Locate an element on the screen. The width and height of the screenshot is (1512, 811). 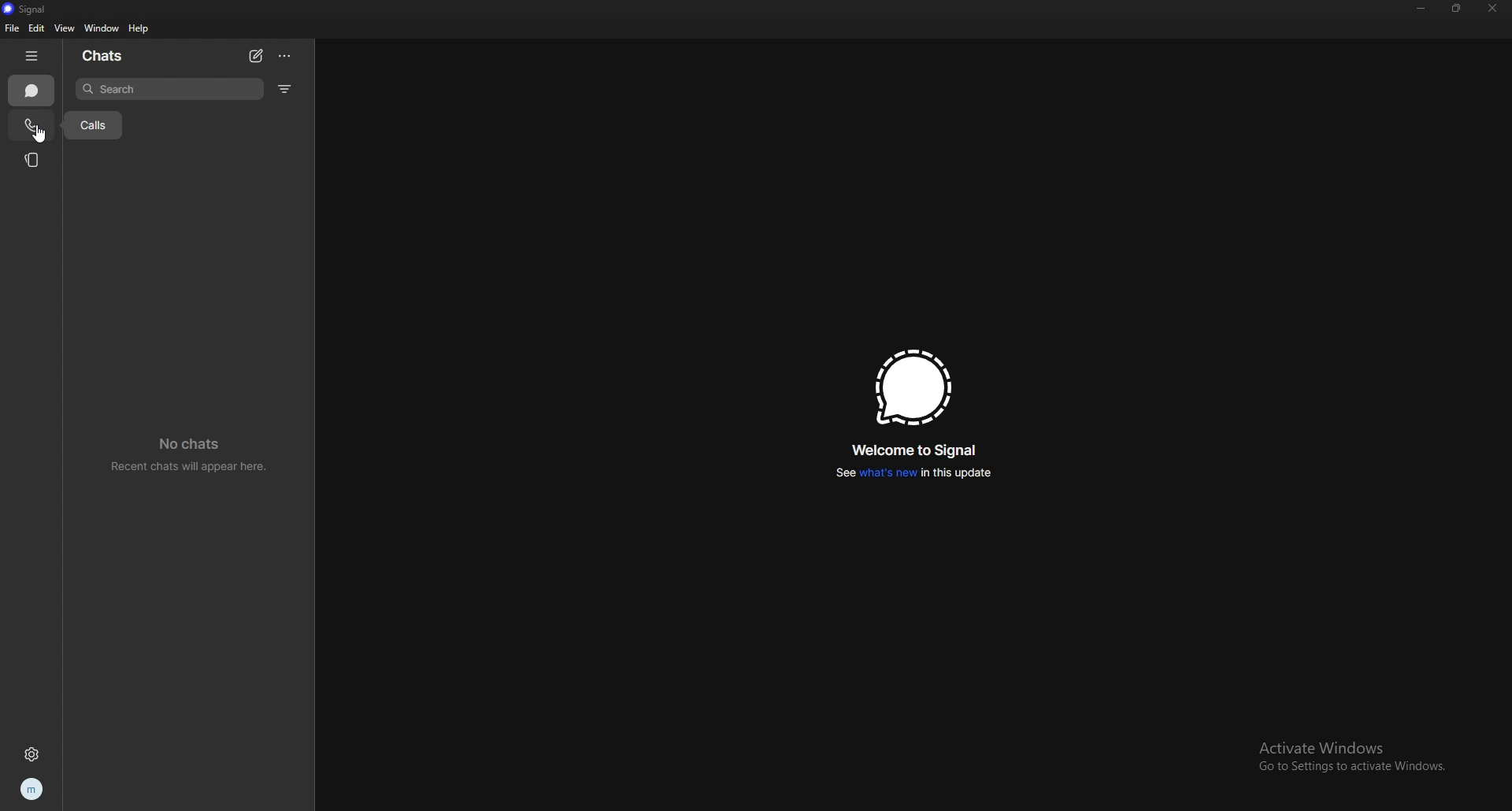
signal is located at coordinates (31, 9).